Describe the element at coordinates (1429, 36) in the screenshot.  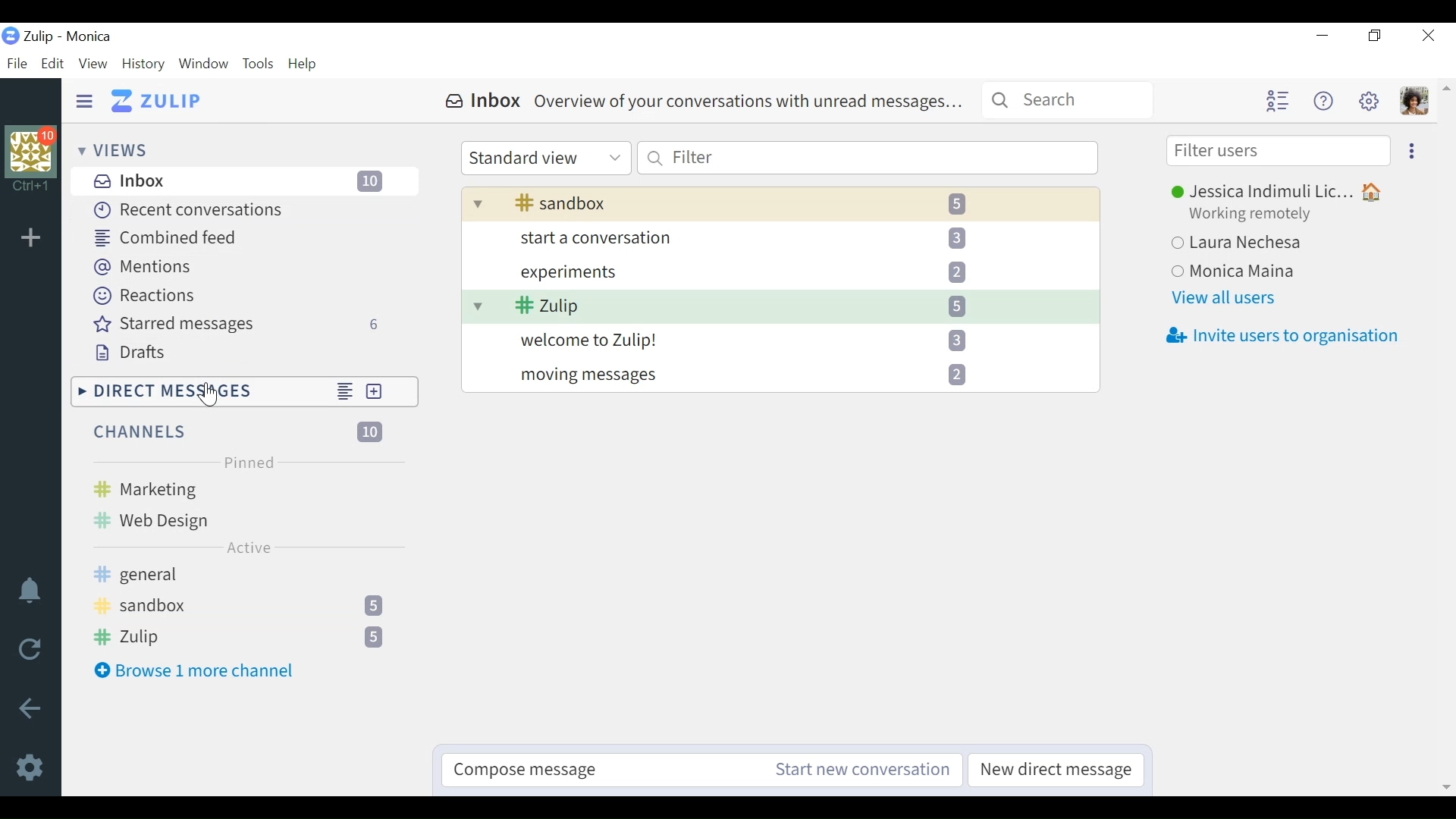
I see `close` at that location.